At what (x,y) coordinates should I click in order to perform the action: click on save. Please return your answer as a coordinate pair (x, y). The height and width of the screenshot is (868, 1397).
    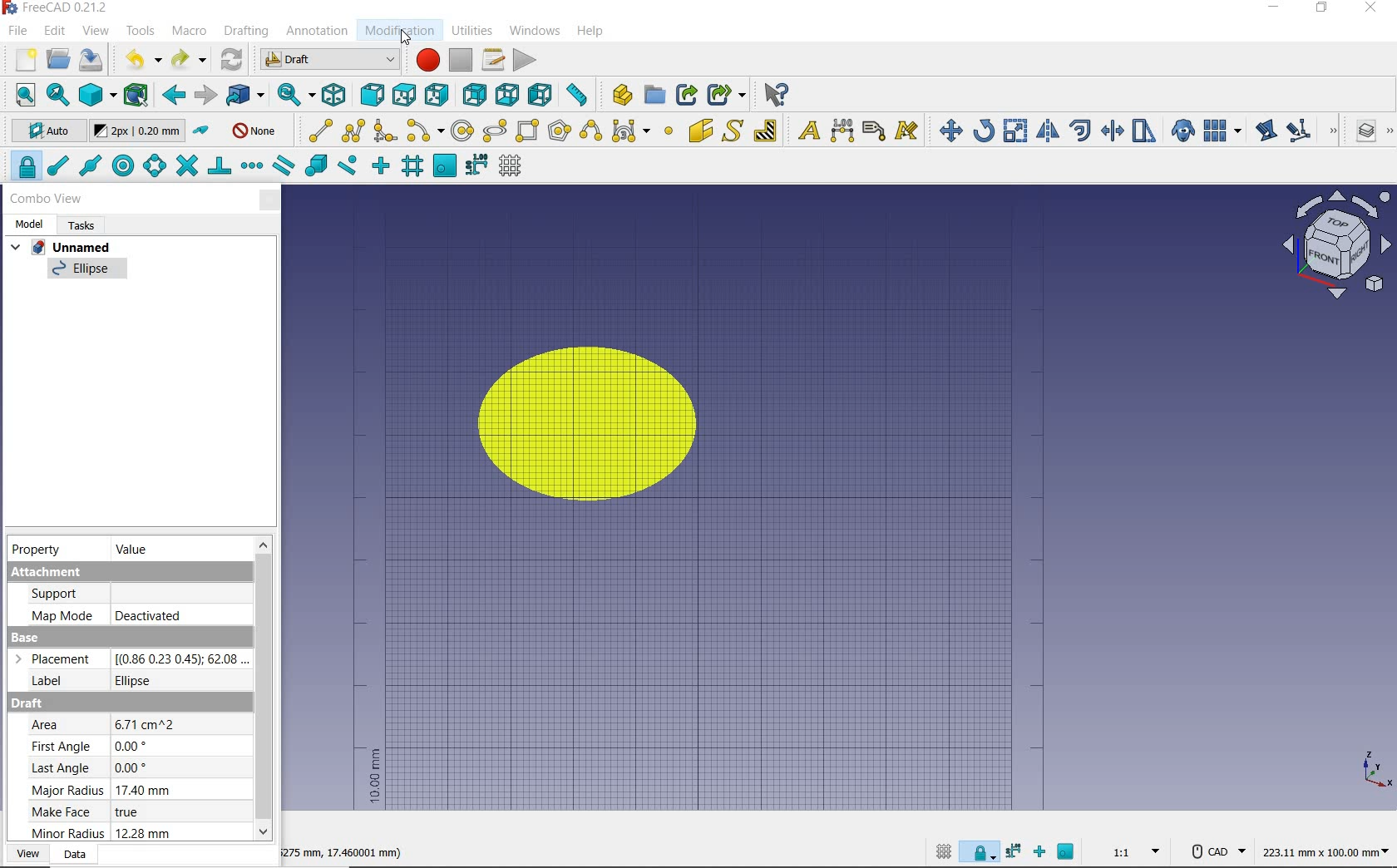
    Looking at the image, I should click on (92, 62).